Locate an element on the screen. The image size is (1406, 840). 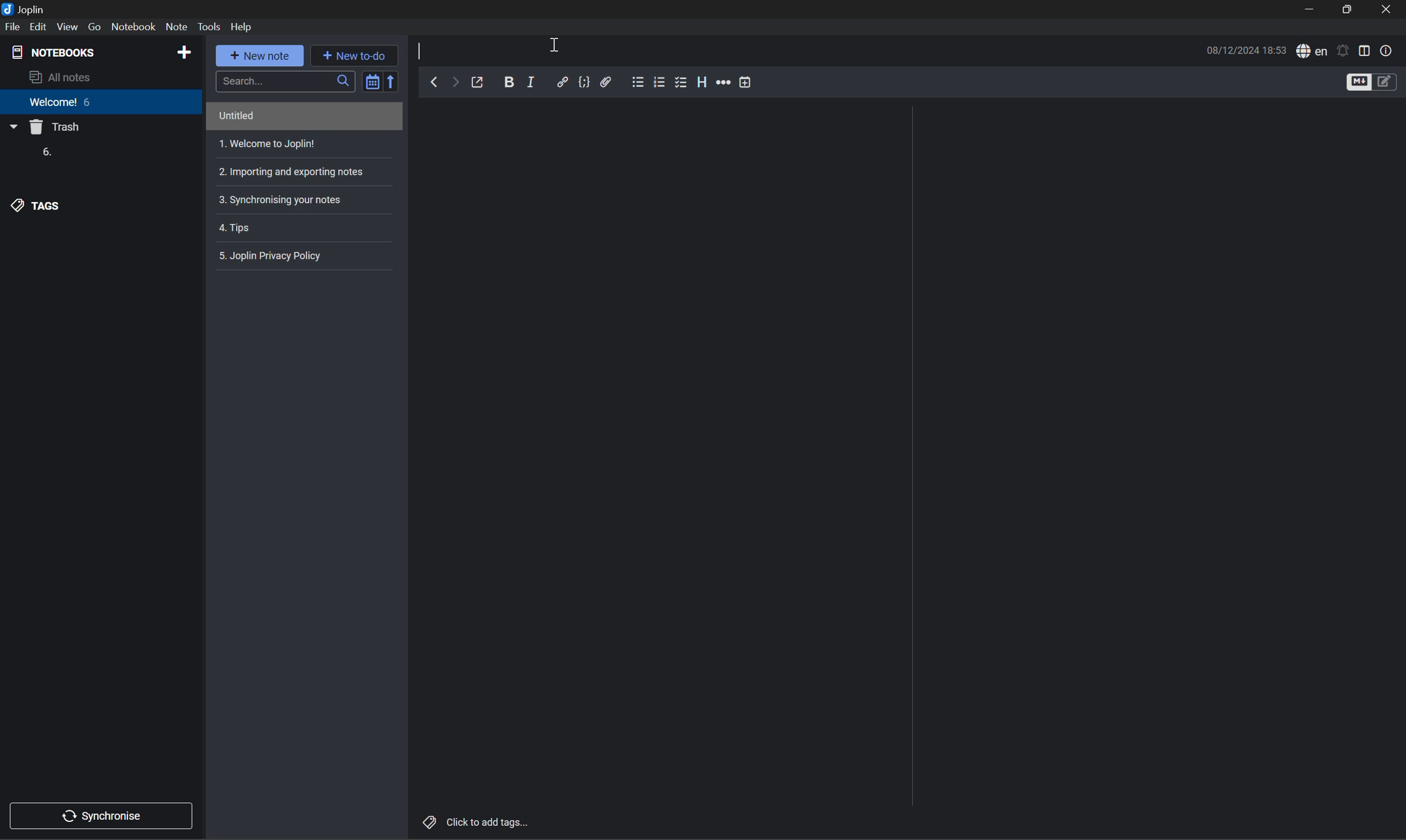
Note is located at coordinates (176, 27).